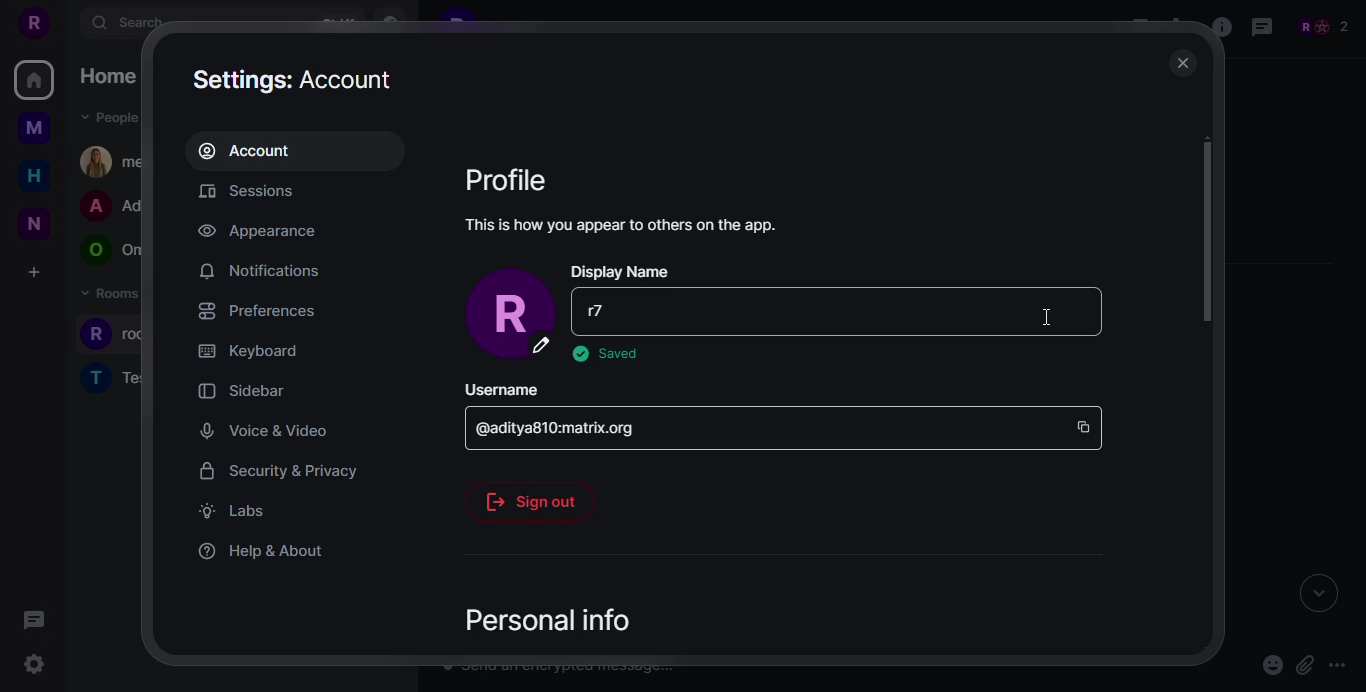 The height and width of the screenshot is (692, 1366). I want to click on username, so click(501, 385).